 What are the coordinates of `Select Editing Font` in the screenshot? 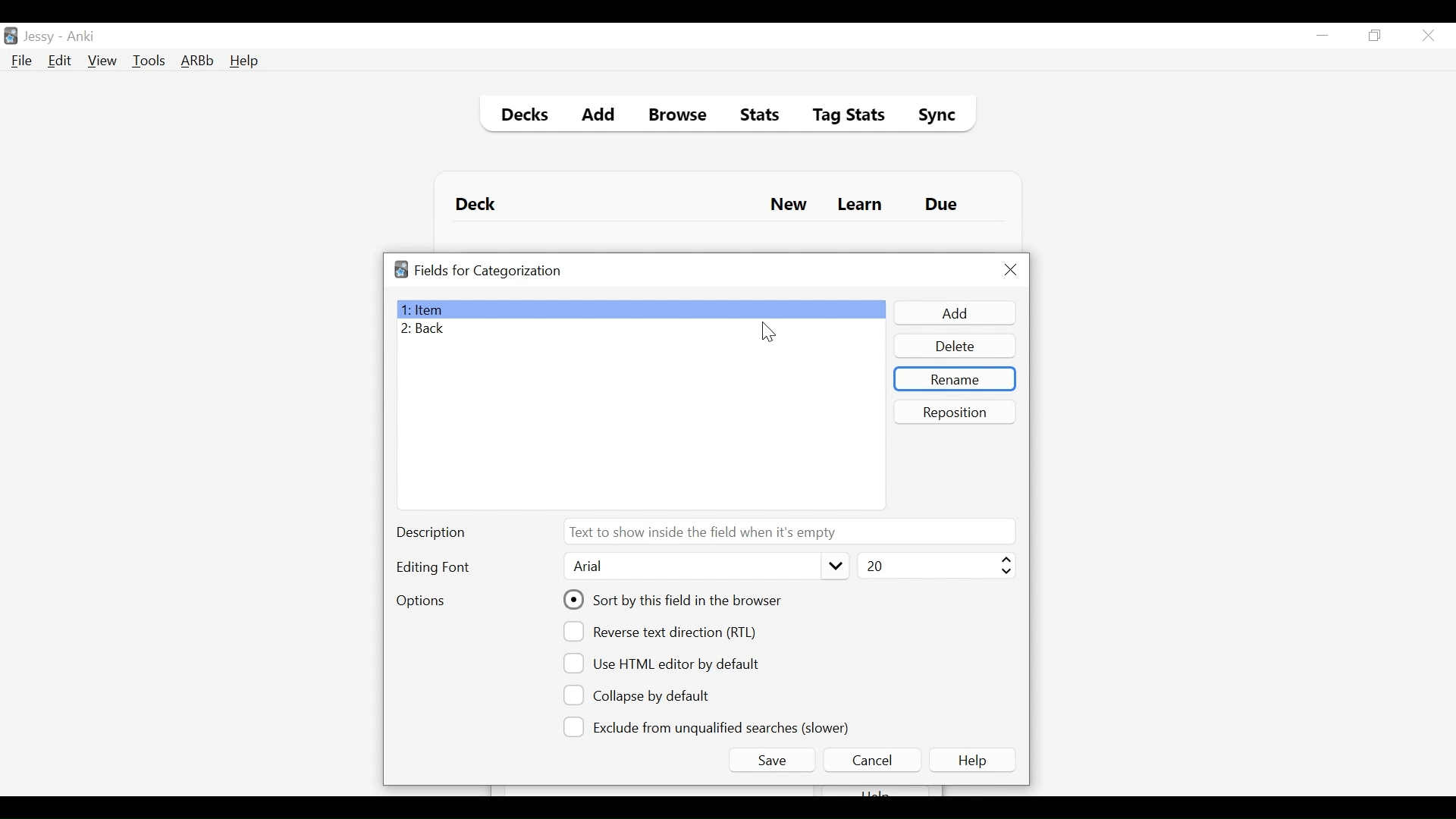 It's located at (704, 566).